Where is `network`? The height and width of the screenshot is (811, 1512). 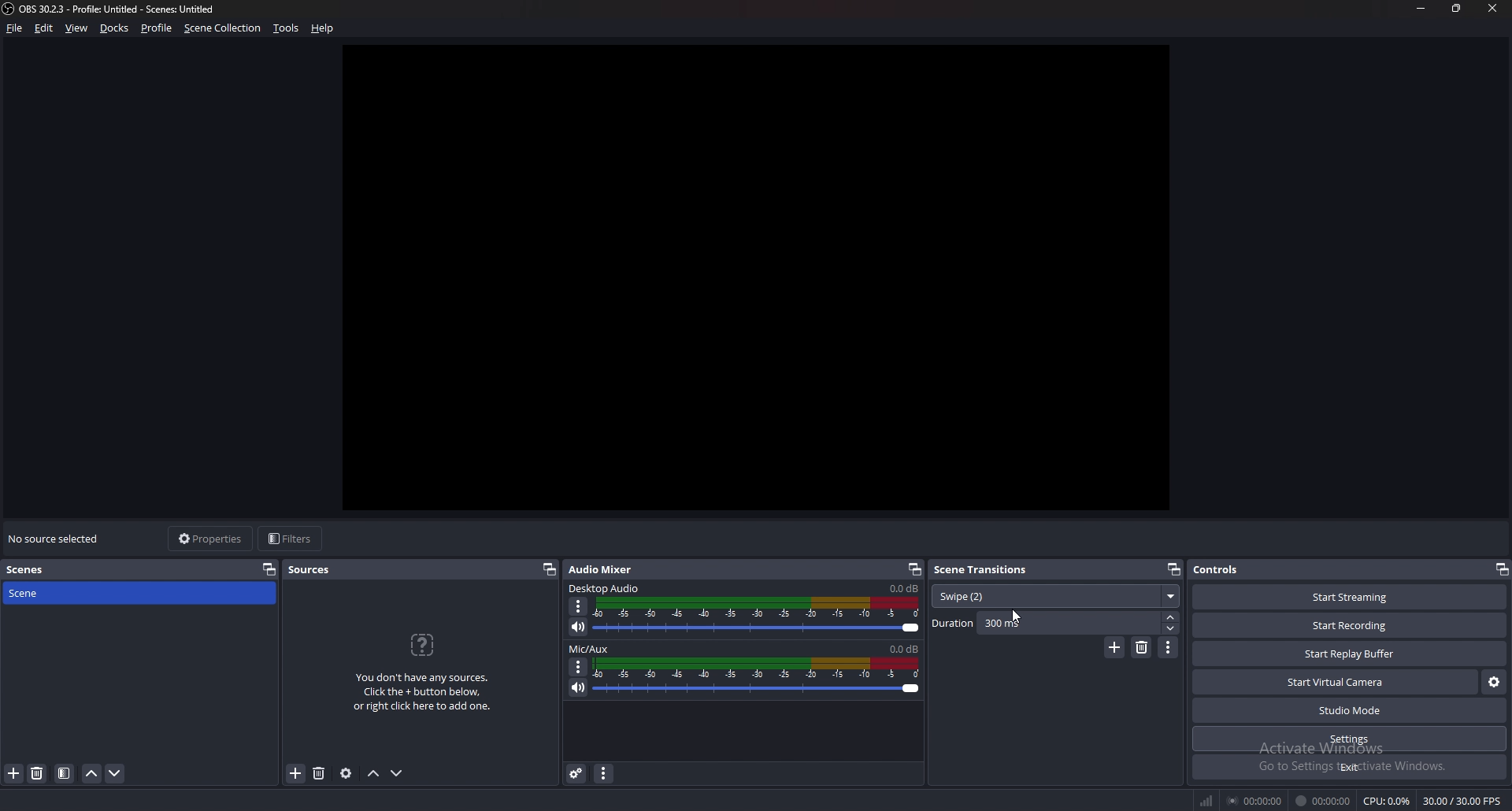
network is located at coordinates (1208, 800).